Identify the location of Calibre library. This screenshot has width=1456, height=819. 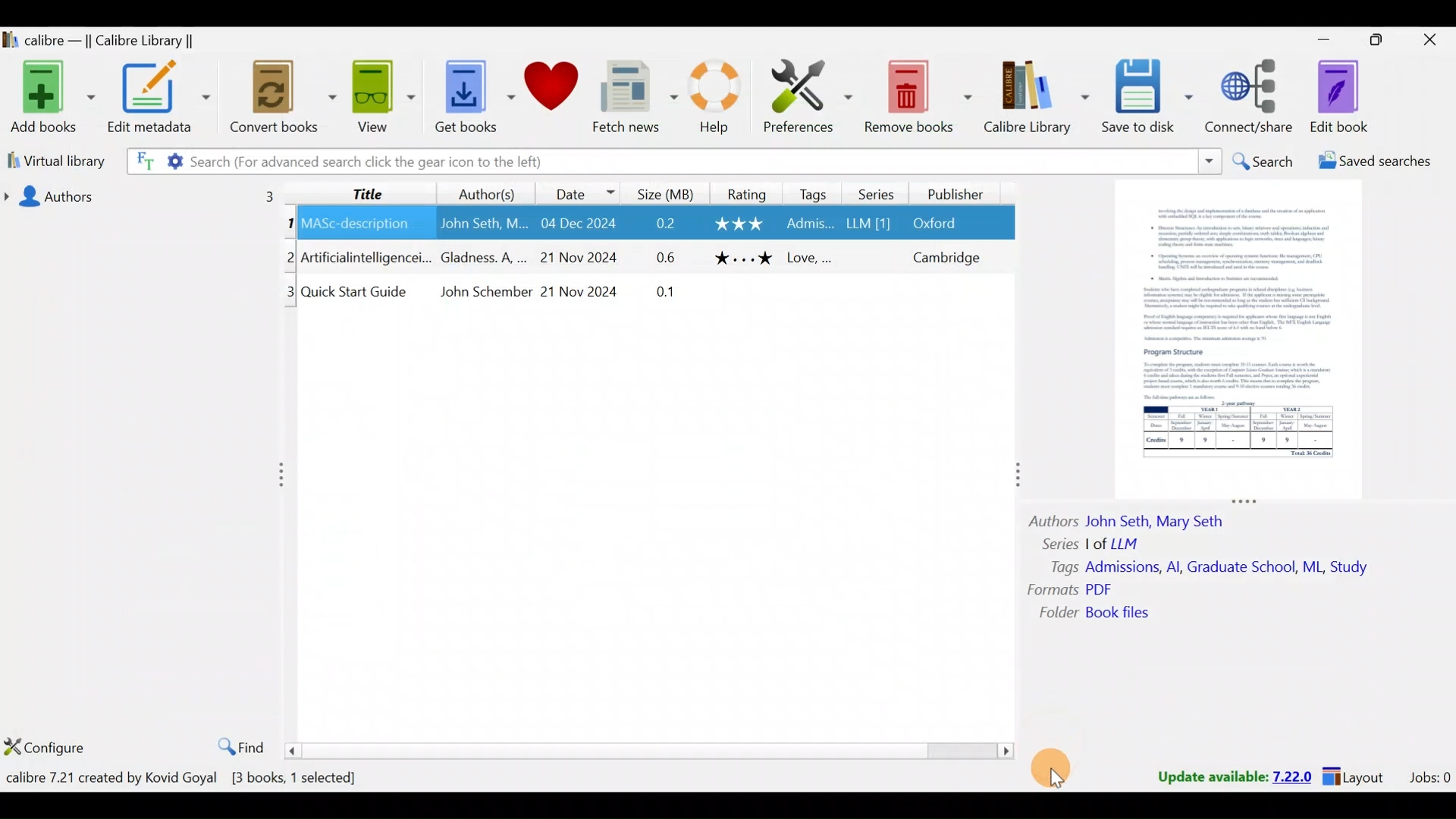
(121, 42).